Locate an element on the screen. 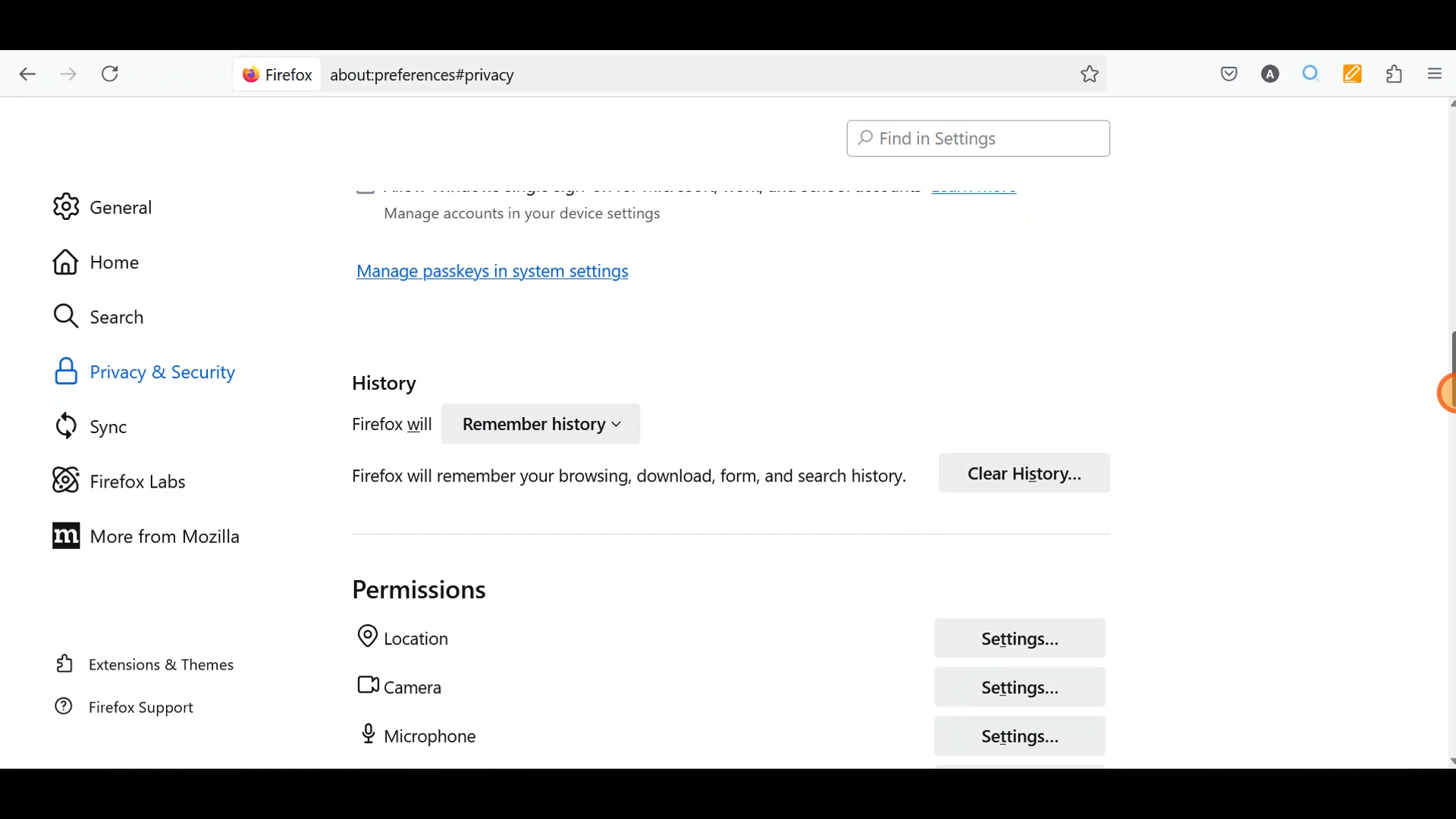 This screenshot has width=1456, height=819. Reload current page is located at coordinates (115, 74).